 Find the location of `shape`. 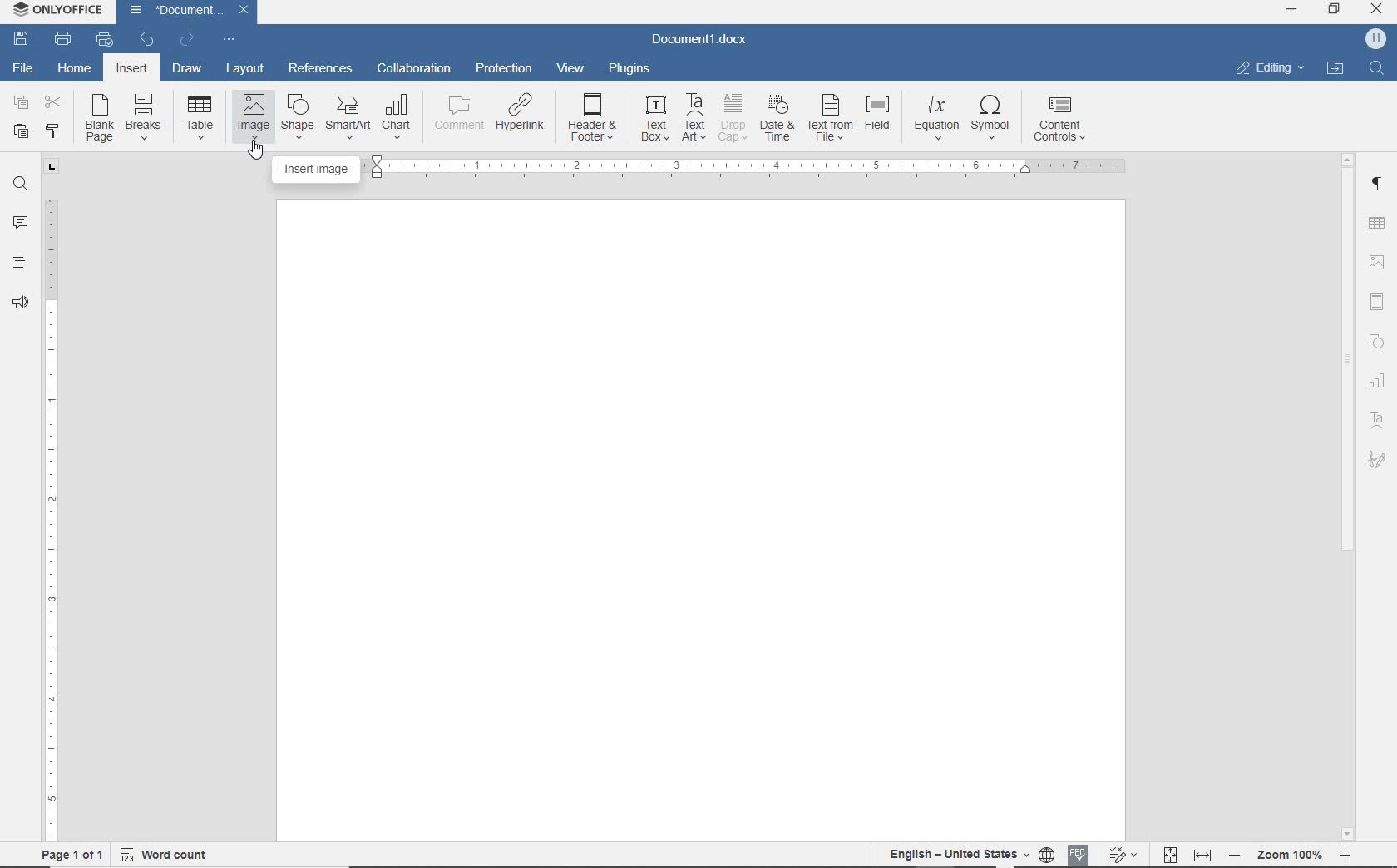

shape is located at coordinates (298, 116).